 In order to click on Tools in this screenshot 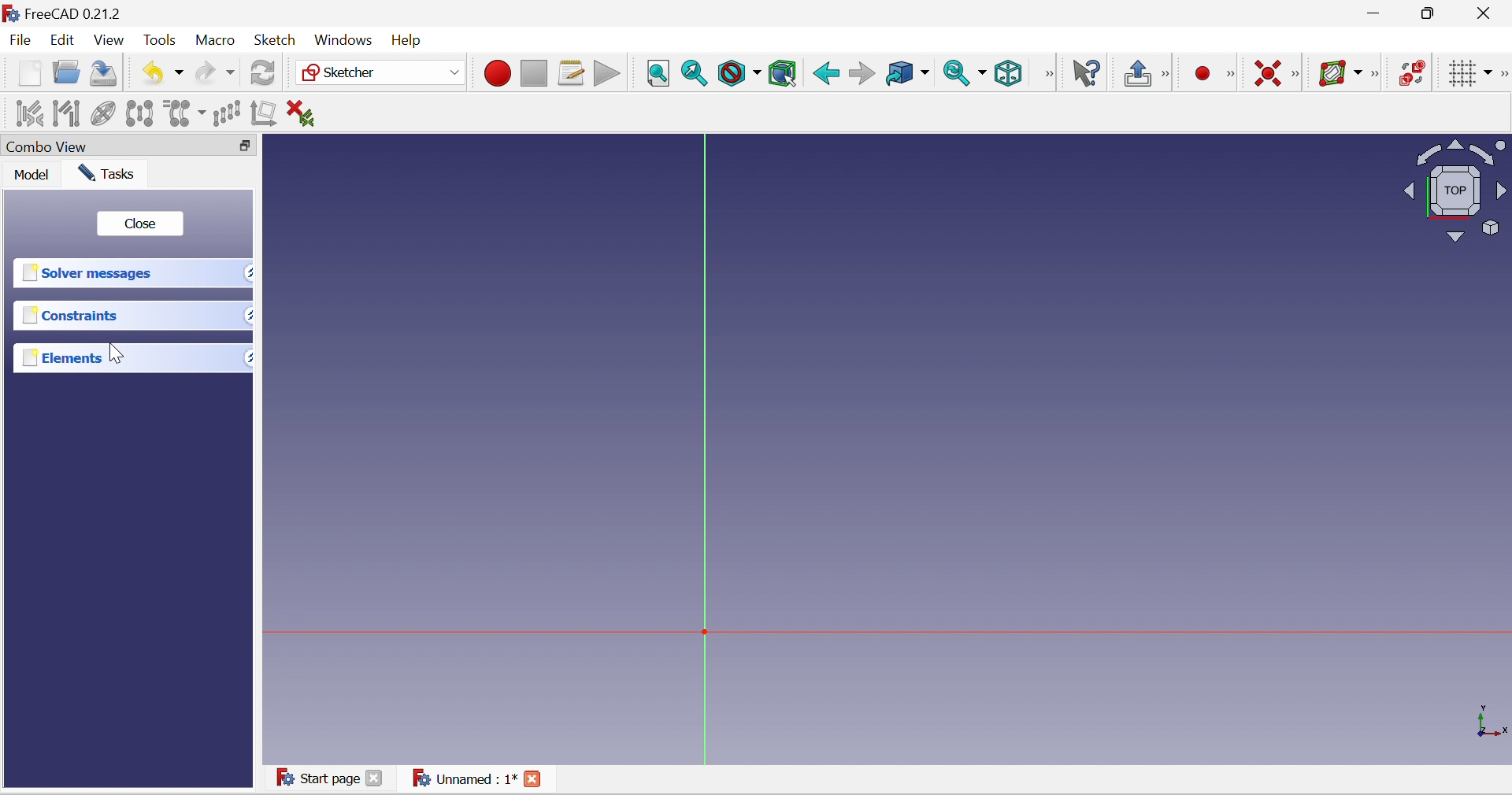, I will do `click(163, 39)`.